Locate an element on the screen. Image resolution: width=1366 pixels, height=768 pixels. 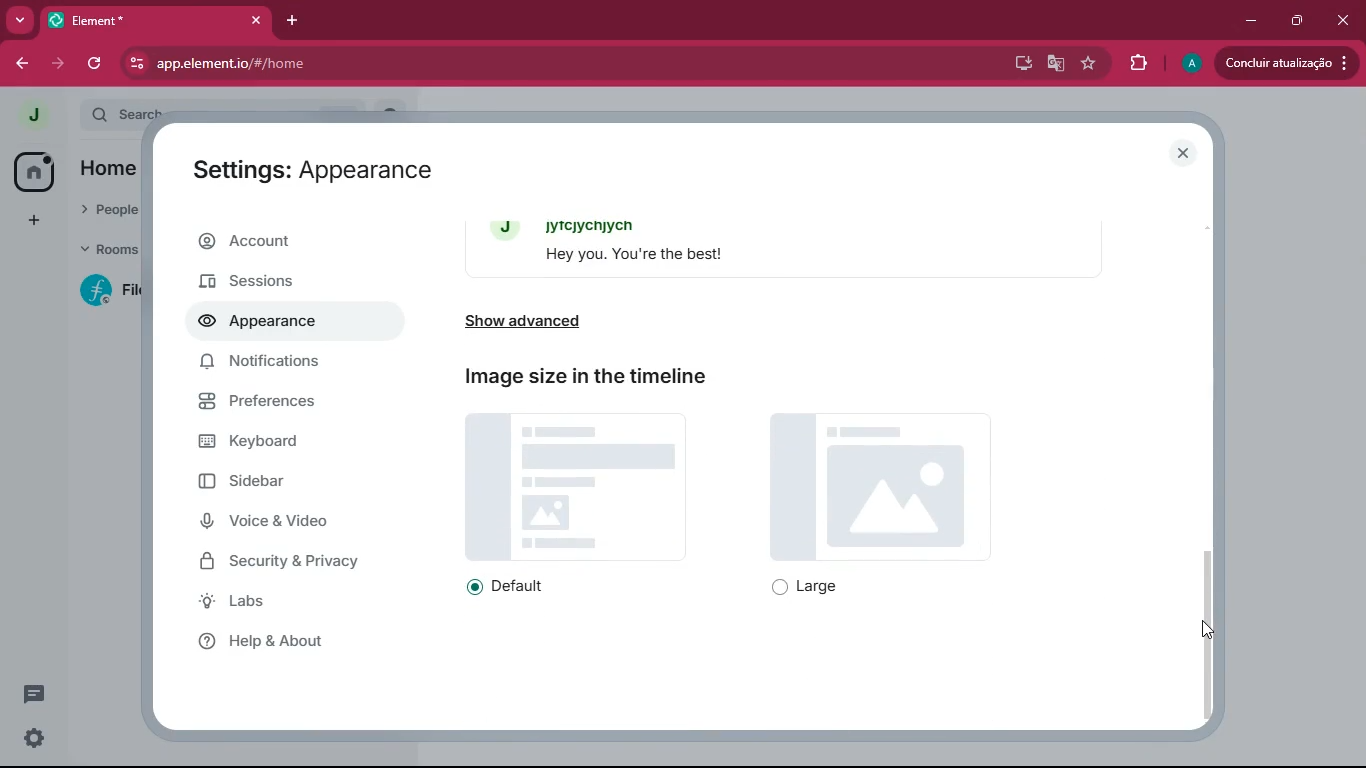
image is located at coordinates (577, 485).